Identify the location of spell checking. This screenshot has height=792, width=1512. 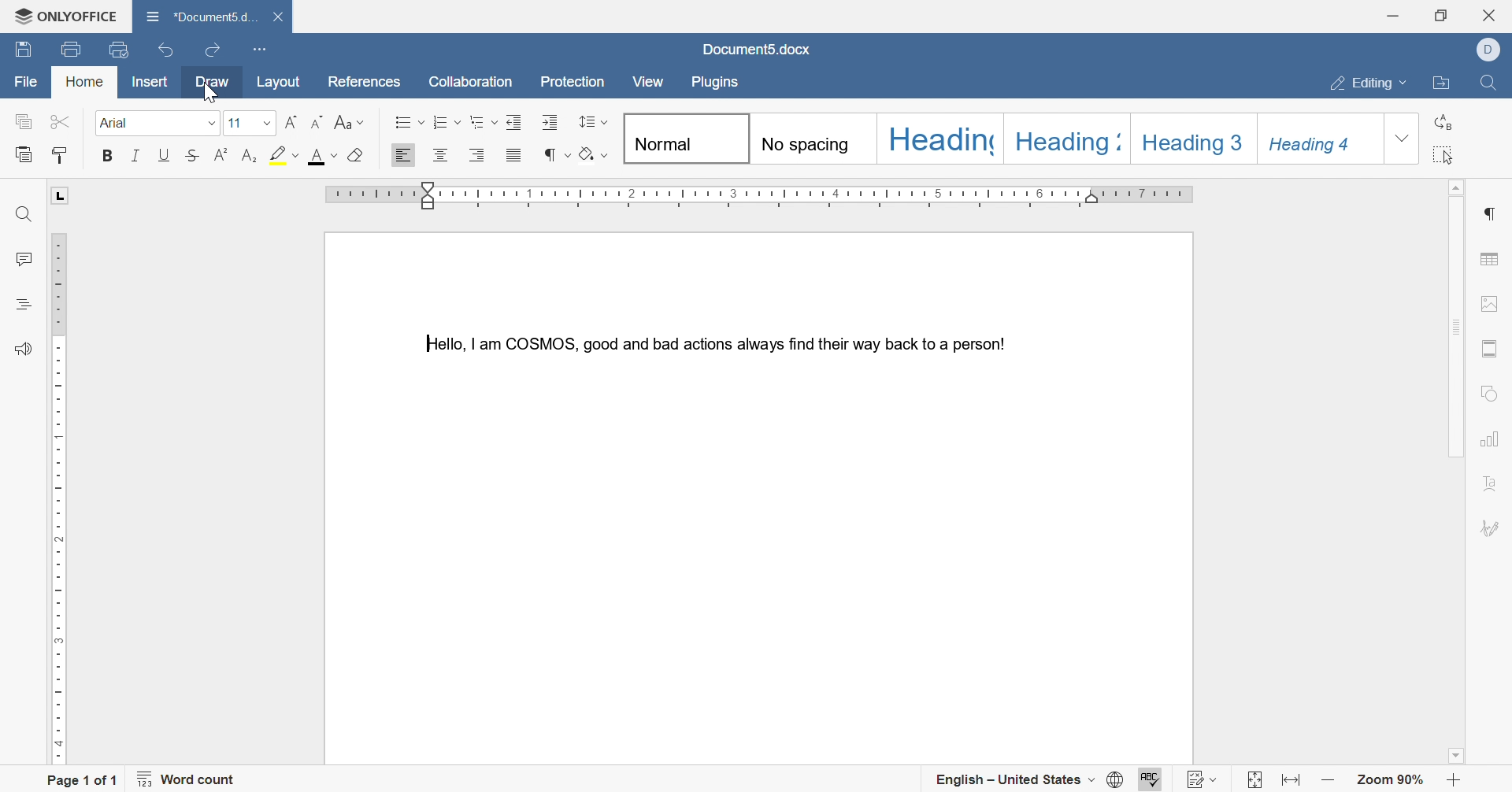
(1148, 777).